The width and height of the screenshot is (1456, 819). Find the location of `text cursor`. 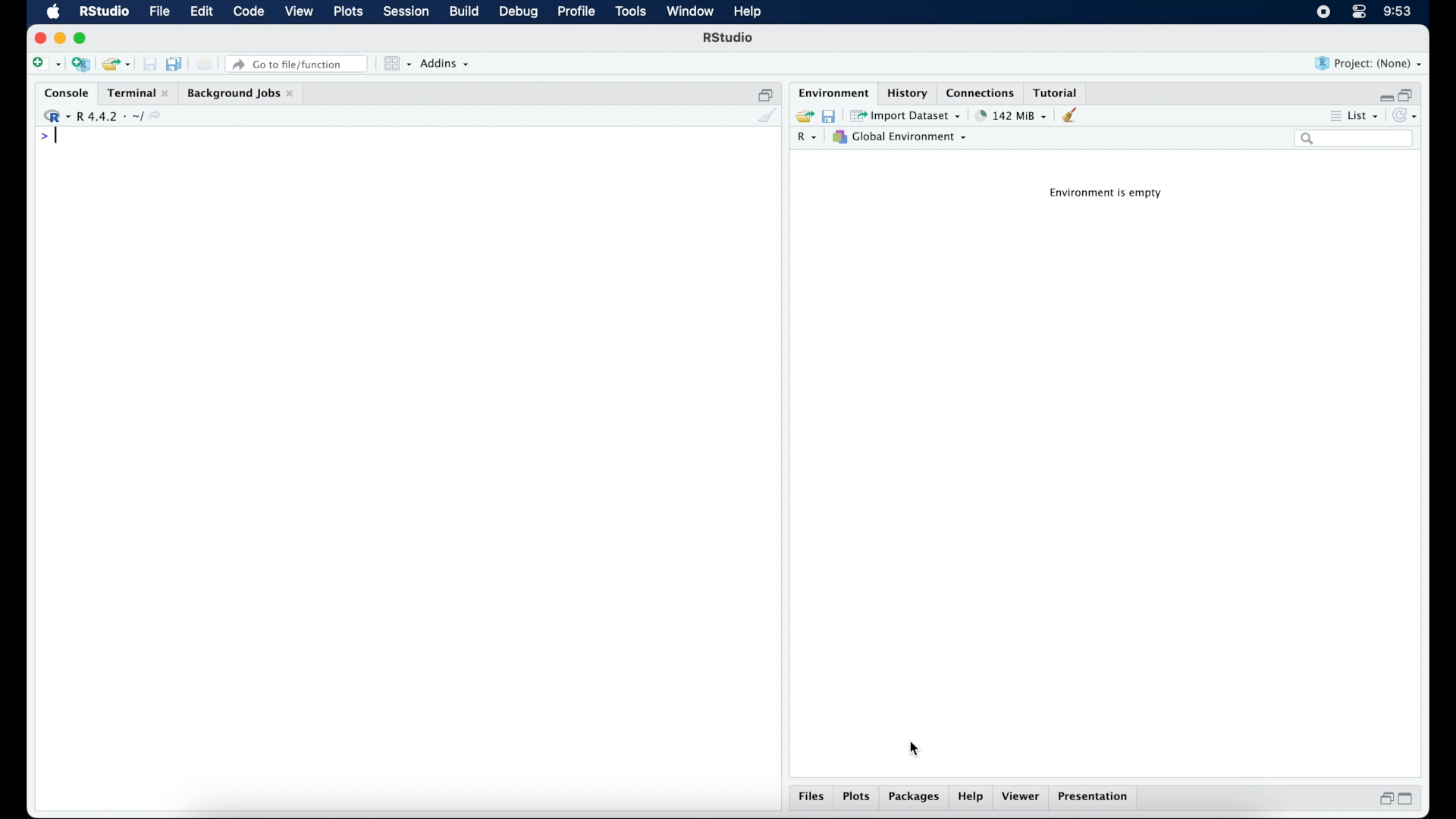

text cursor is located at coordinates (60, 136).